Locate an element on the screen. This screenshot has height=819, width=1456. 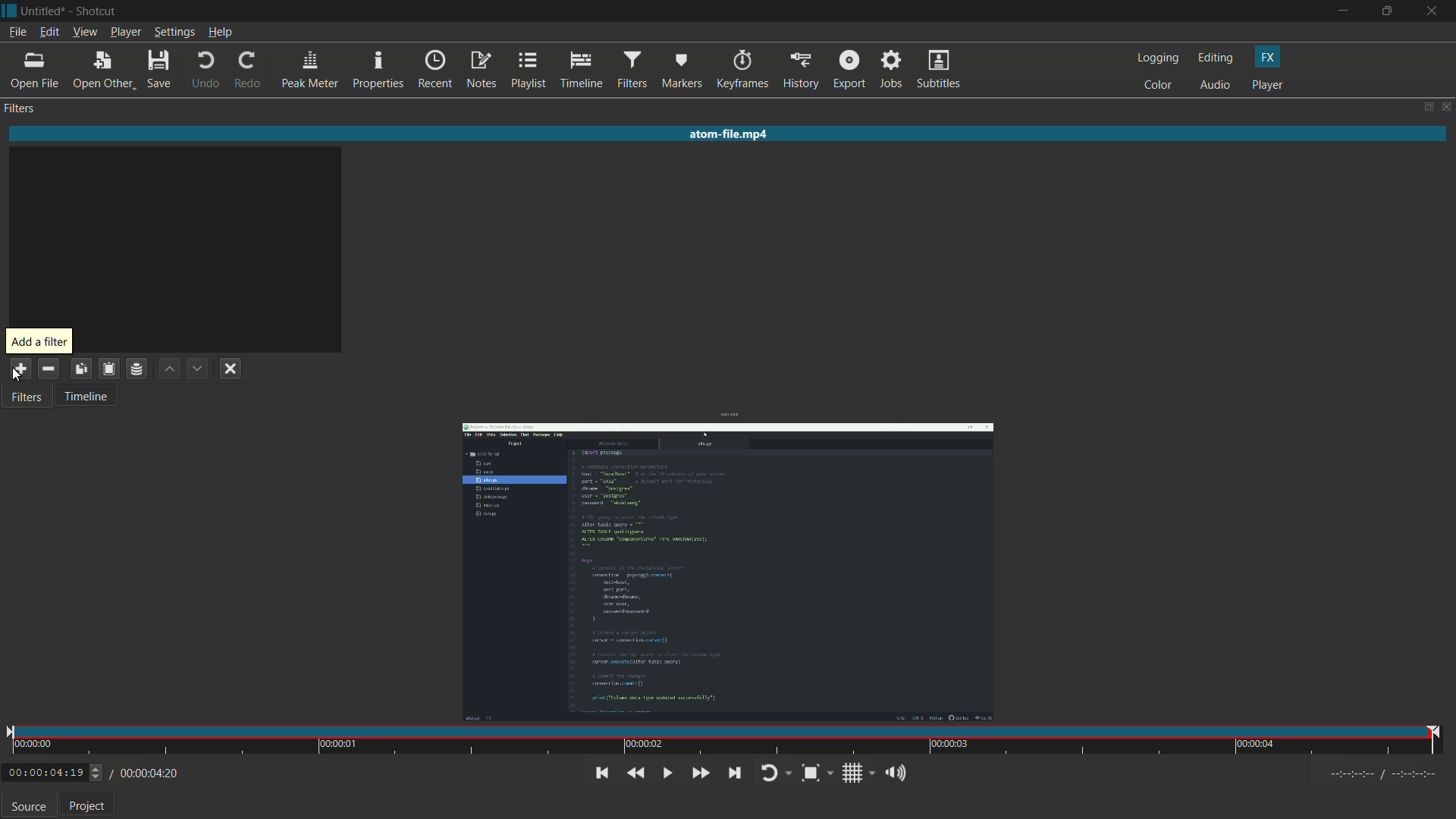
redo is located at coordinates (248, 70).